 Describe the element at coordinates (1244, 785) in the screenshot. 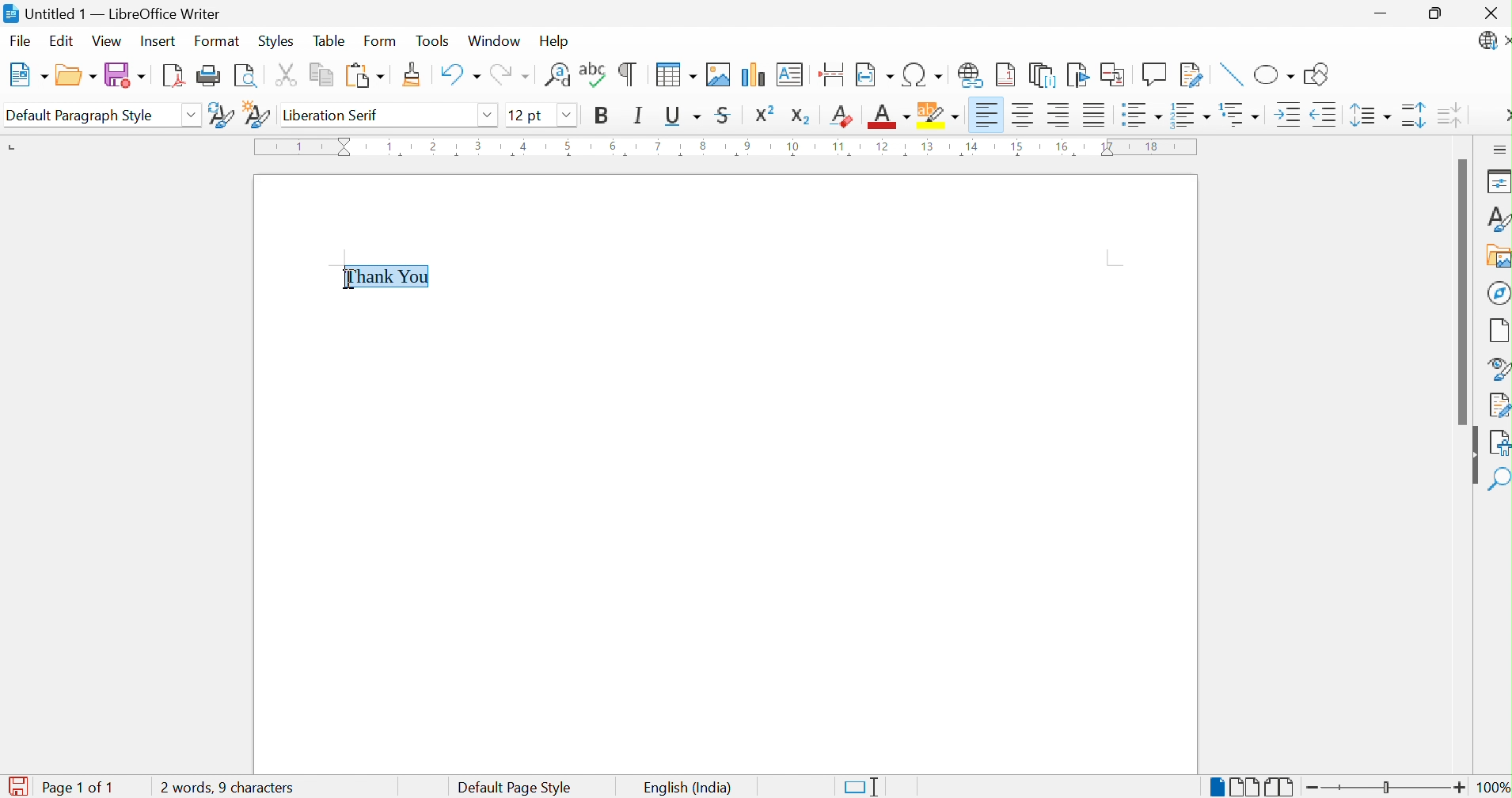

I see `Multiple-page View` at that location.